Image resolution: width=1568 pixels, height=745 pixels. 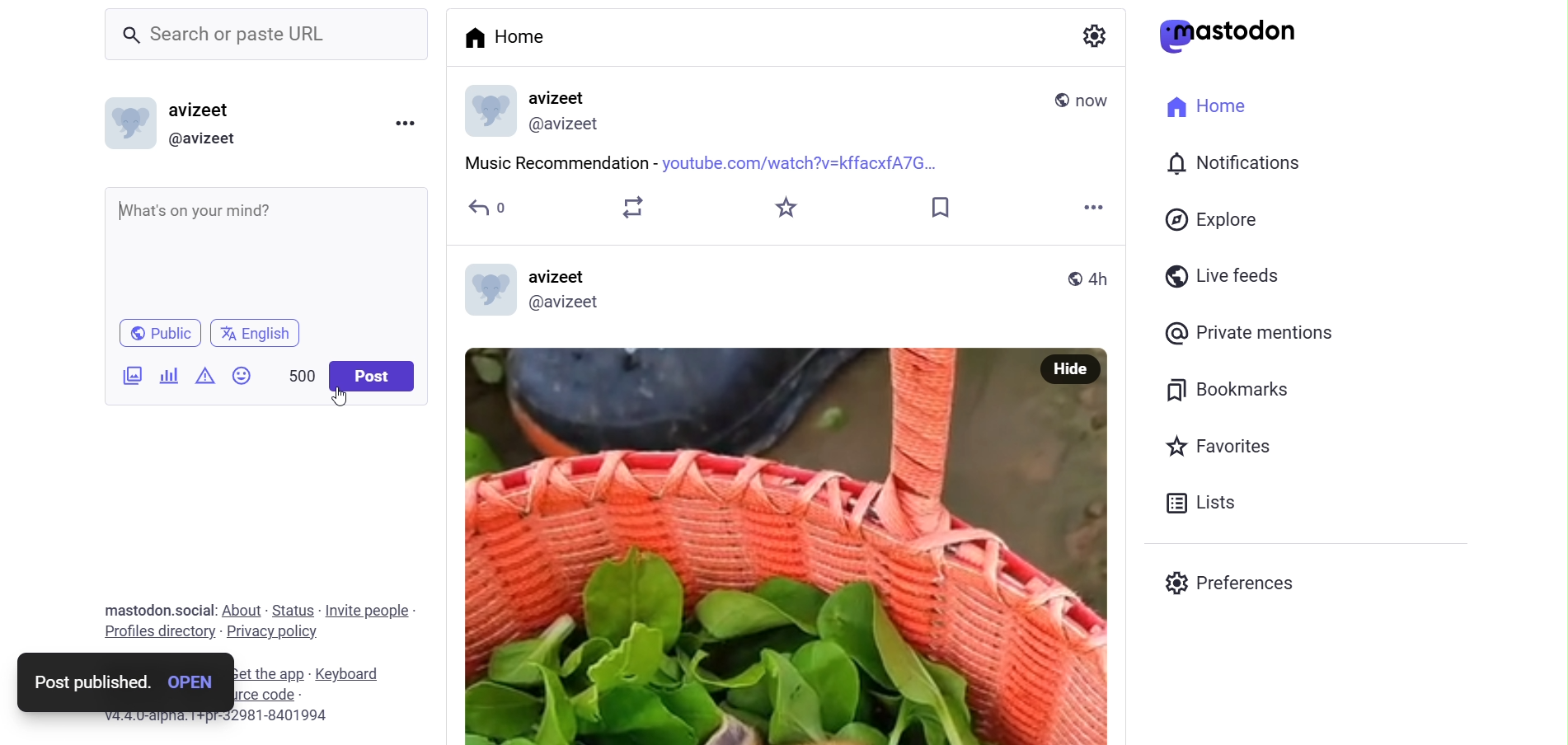 What do you see at coordinates (488, 290) in the screenshot?
I see `profile picture` at bounding box center [488, 290].